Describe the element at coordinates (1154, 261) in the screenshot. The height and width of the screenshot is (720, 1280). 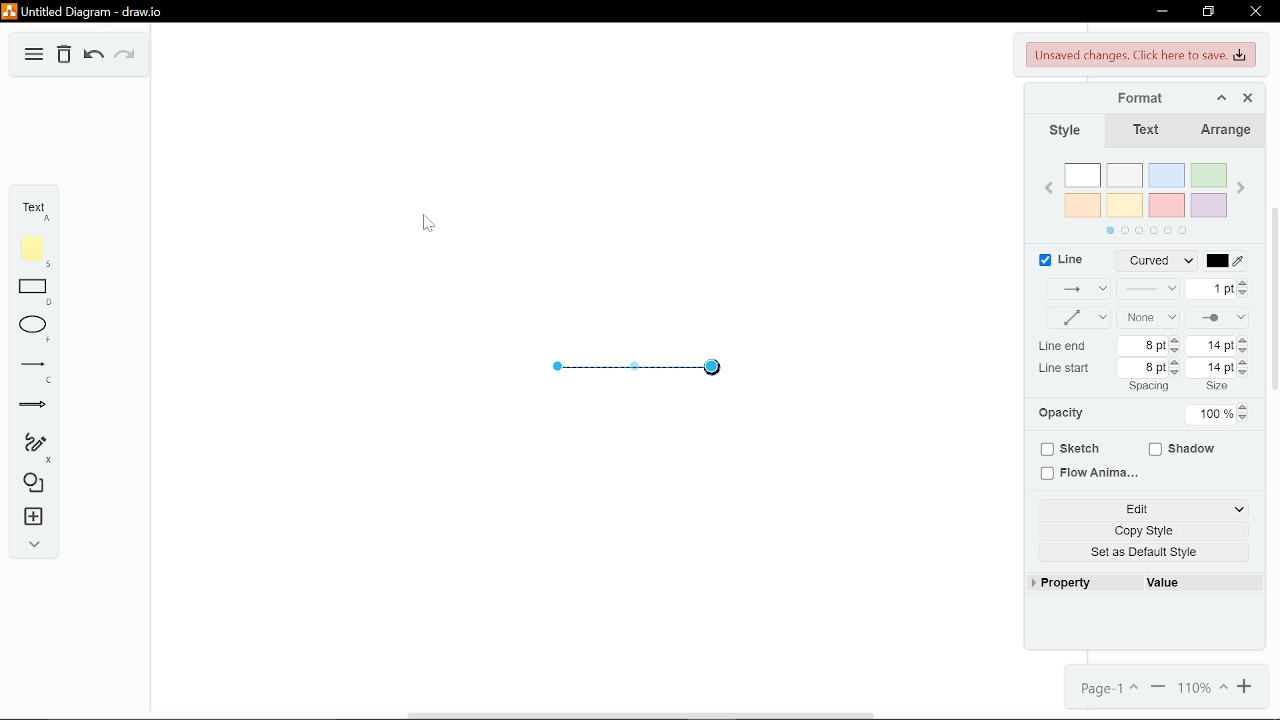
I see `Line style` at that location.